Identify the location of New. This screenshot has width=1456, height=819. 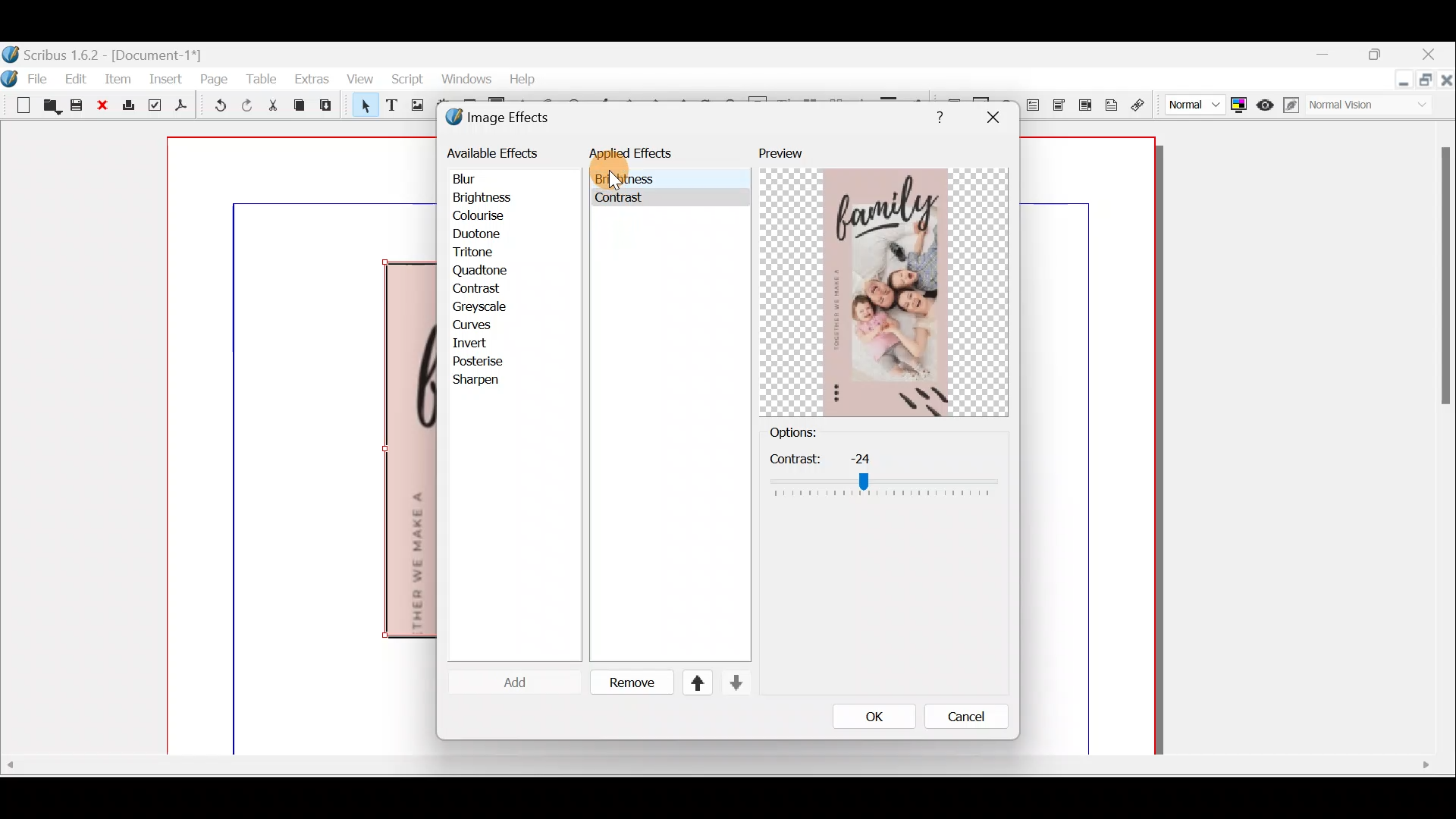
(17, 104).